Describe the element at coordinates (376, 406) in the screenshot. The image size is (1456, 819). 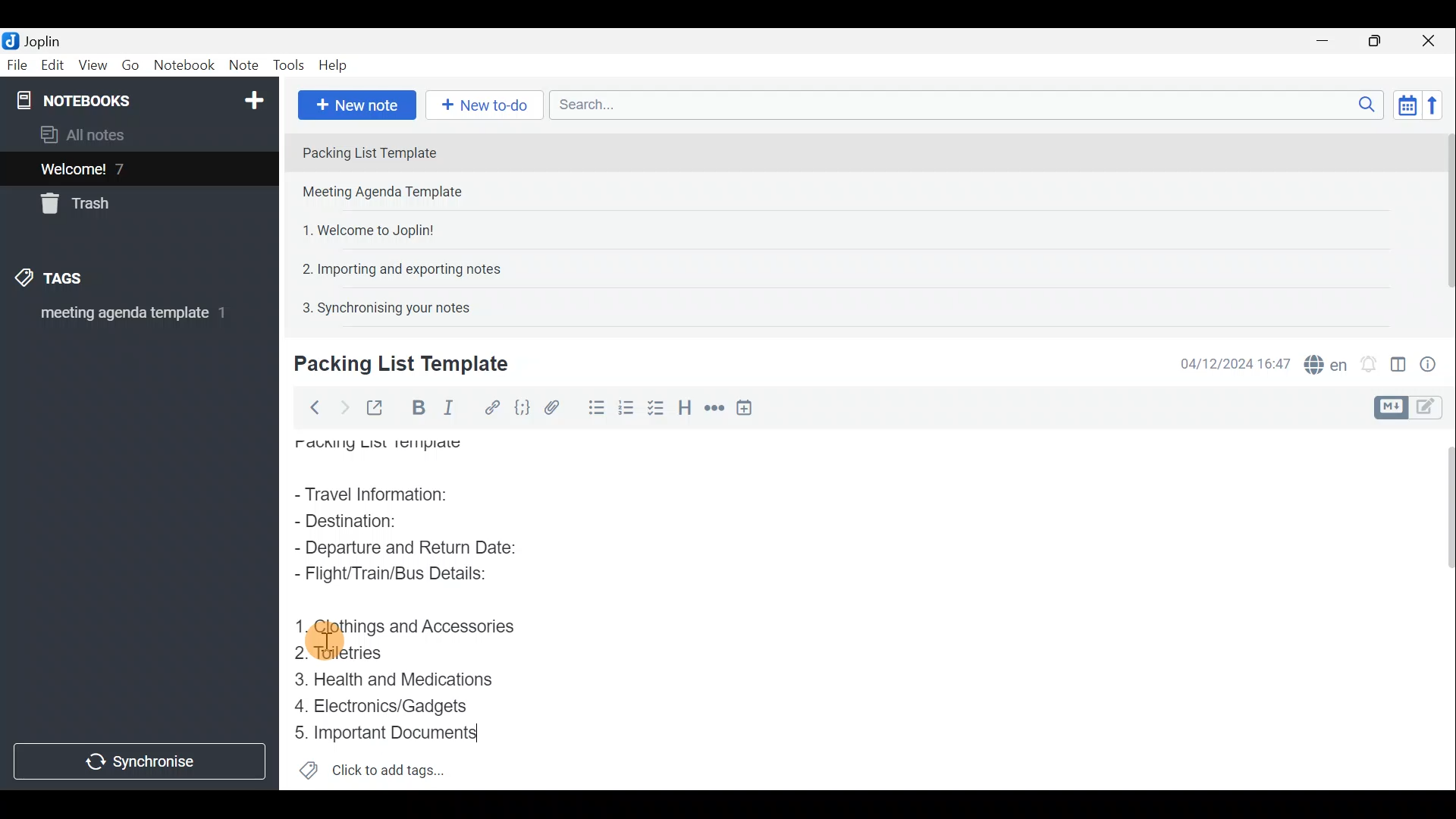
I see `Toggle external editing` at that location.